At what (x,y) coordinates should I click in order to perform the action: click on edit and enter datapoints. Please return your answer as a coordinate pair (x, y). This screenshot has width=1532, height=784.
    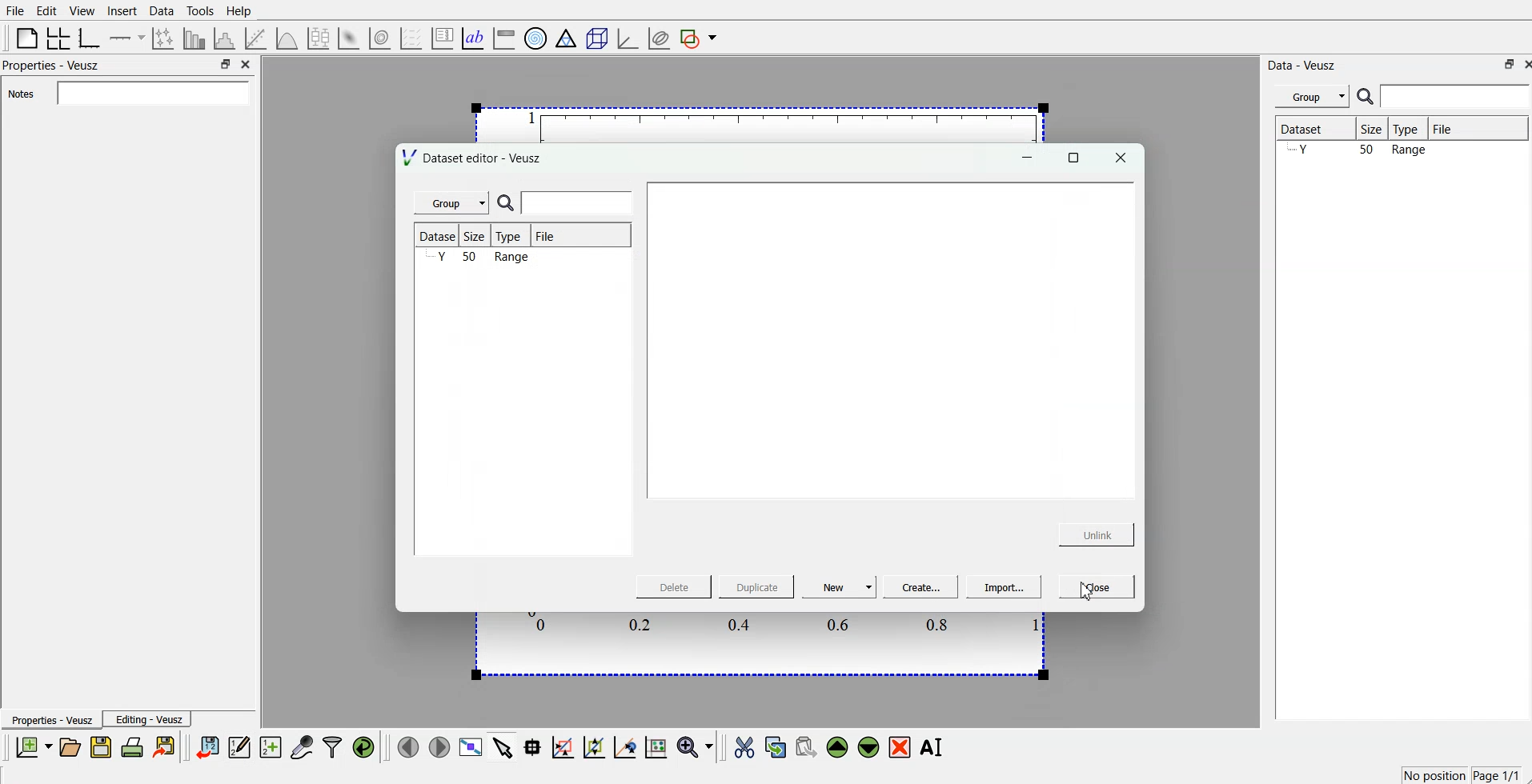
    Looking at the image, I should click on (240, 748).